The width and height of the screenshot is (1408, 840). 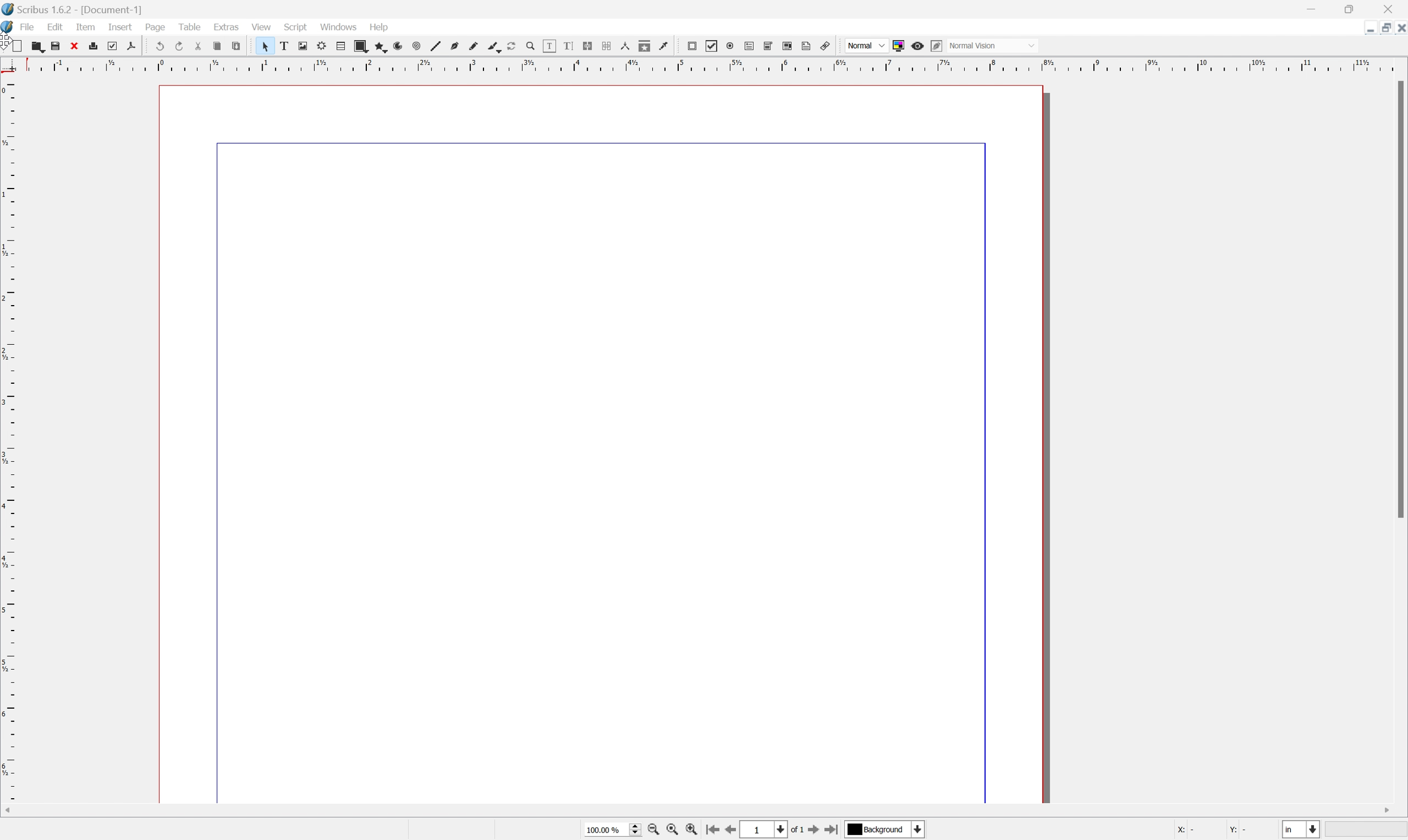 I want to click on pdf text field, so click(x=749, y=46).